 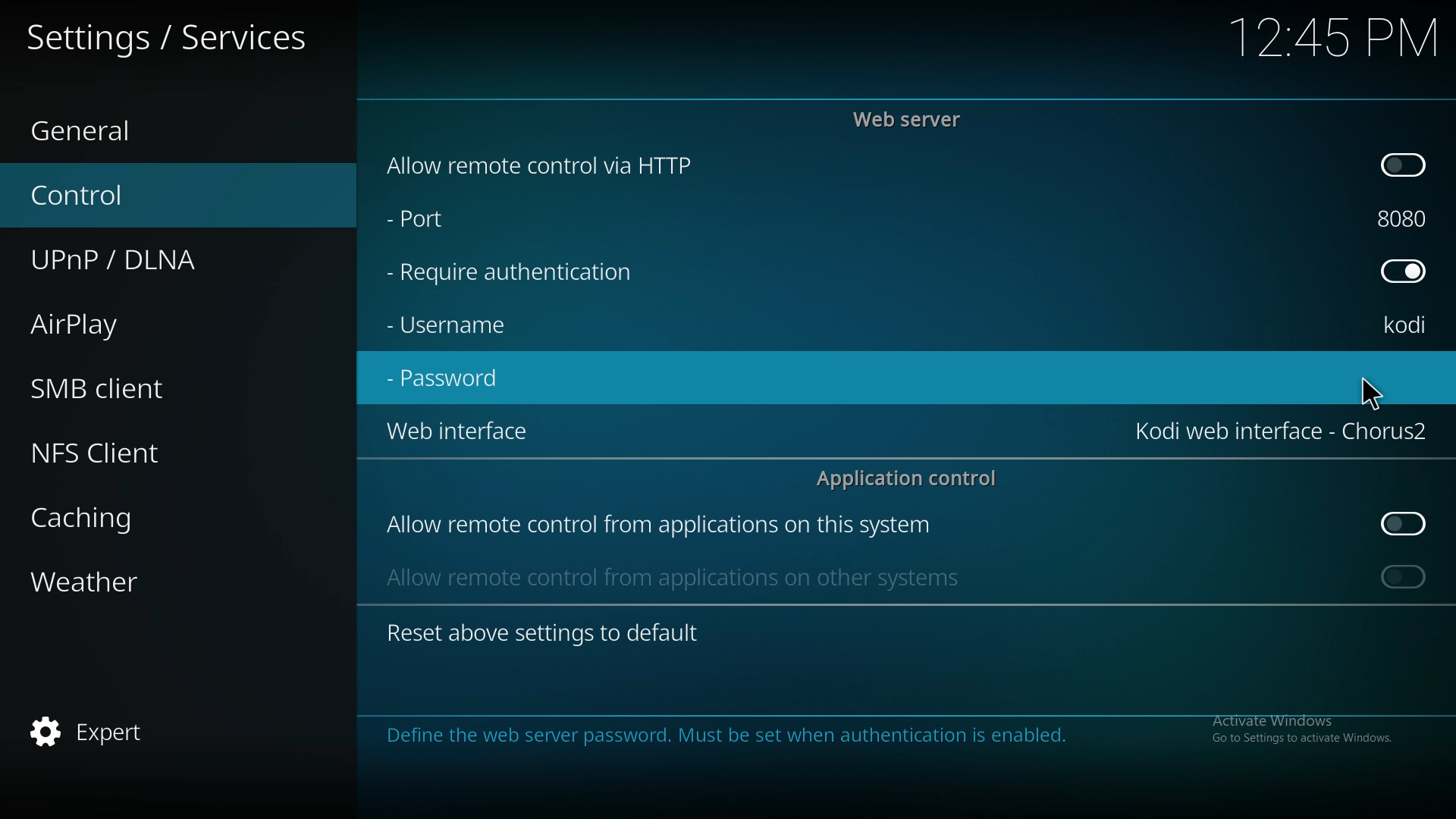 I want to click on off, so click(x=1403, y=269).